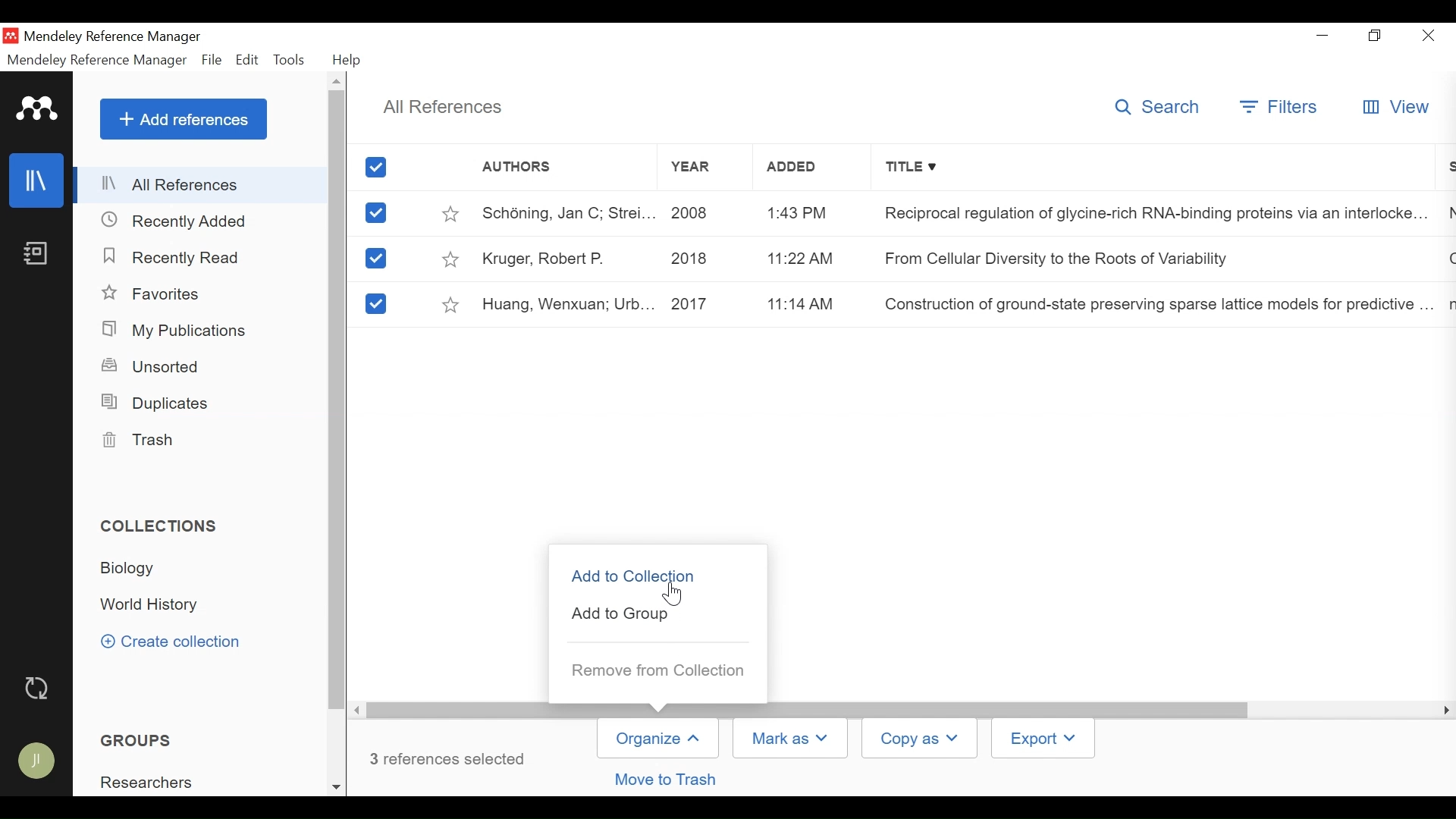 The width and height of the screenshot is (1456, 819). What do you see at coordinates (1041, 739) in the screenshot?
I see `Export` at bounding box center [1041, 739].